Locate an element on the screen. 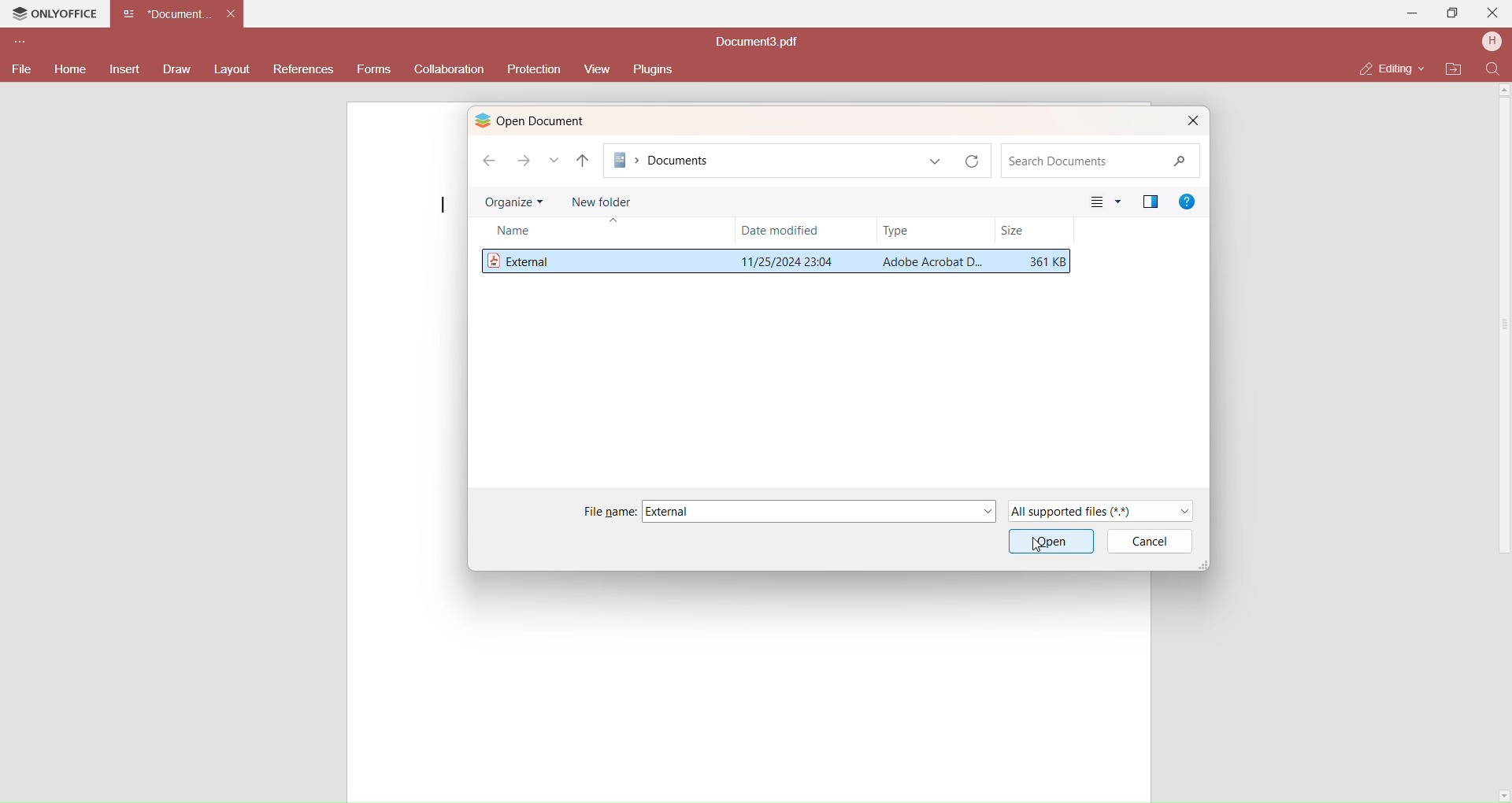  Insert is located at coordinates (127, 70).